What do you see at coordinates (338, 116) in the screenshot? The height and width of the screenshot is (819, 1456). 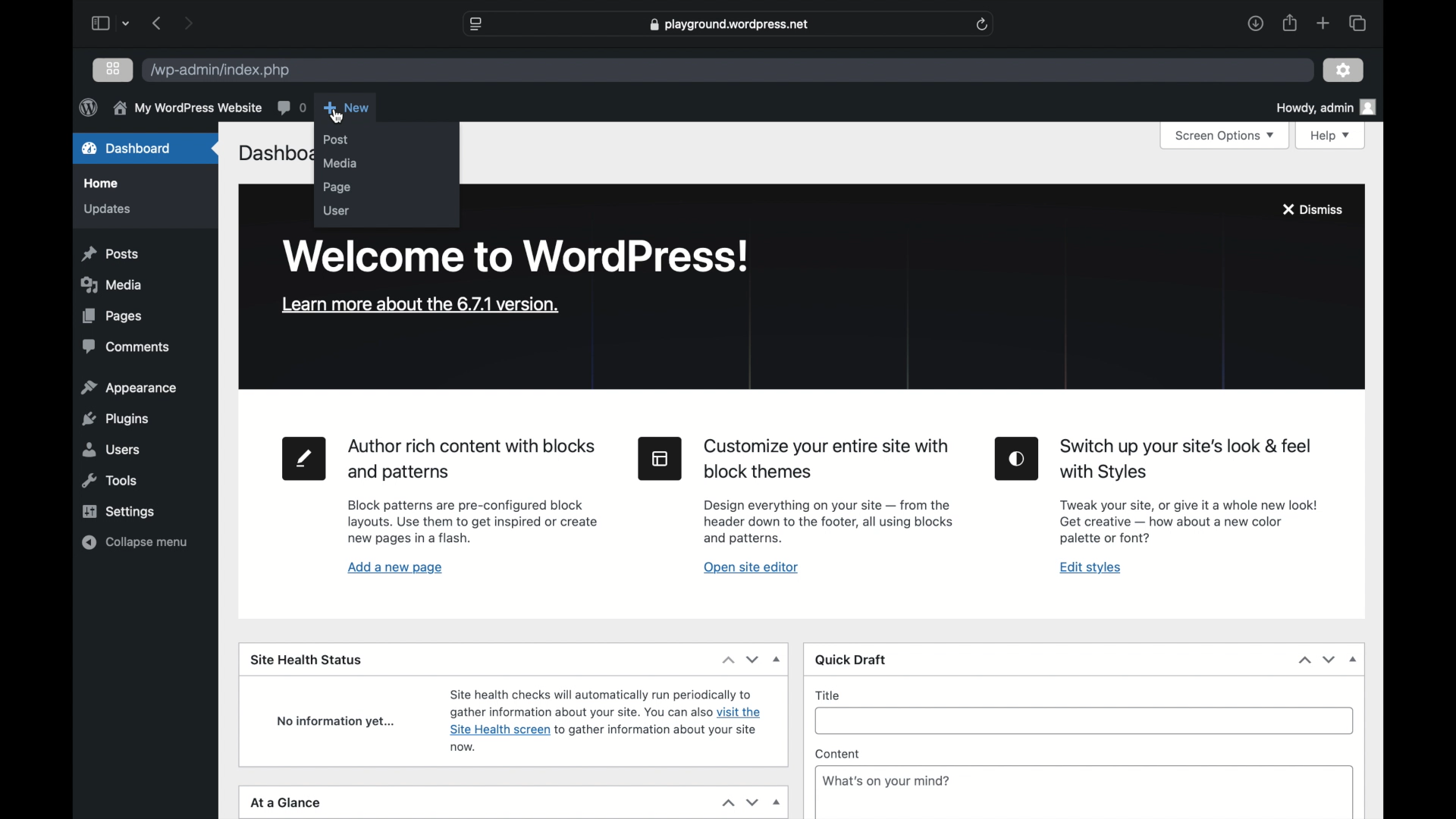 I see `cursor` at bounding box center [338, 116].